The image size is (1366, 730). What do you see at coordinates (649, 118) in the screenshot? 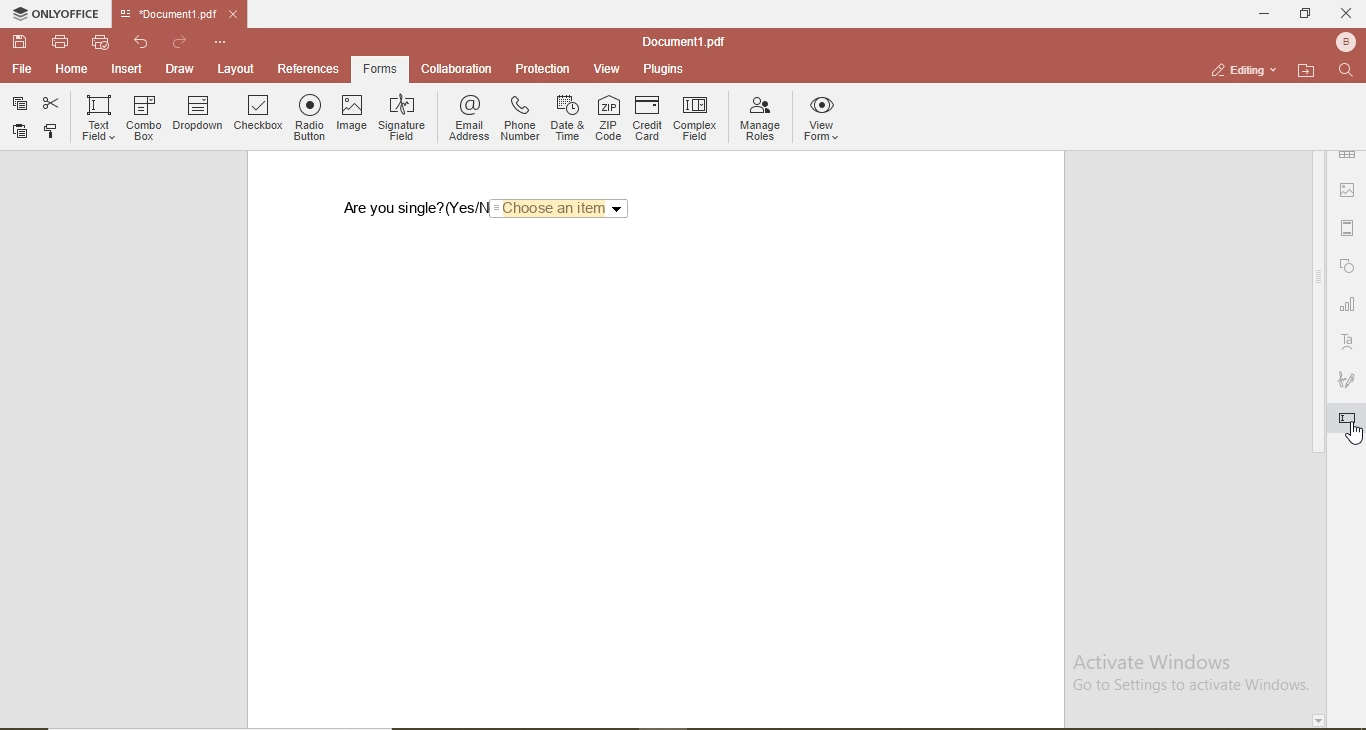
I see `credit card` at bounding box center [649, 118].